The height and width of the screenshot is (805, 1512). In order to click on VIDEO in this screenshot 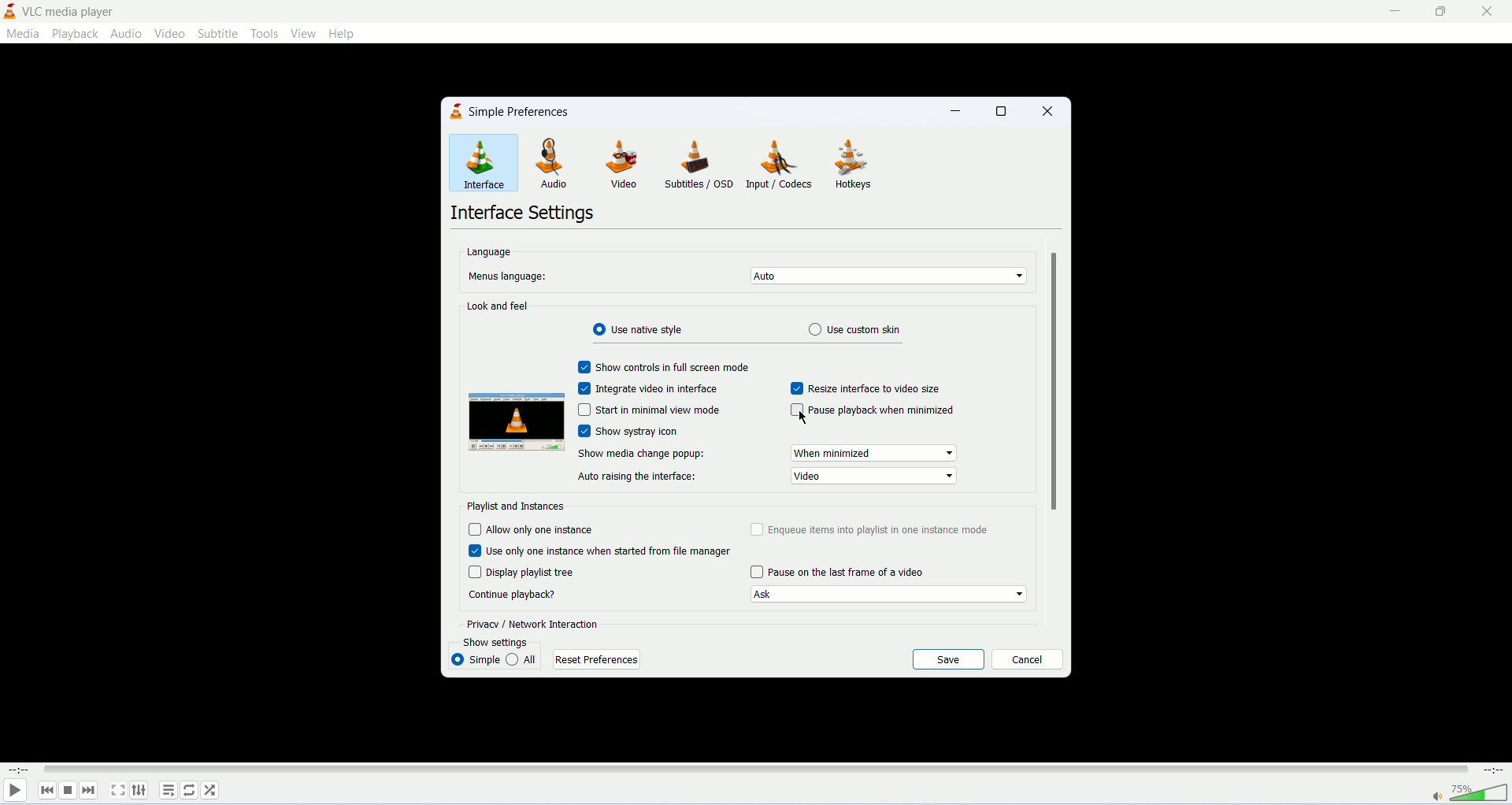, I will do `click(617, 163)`.